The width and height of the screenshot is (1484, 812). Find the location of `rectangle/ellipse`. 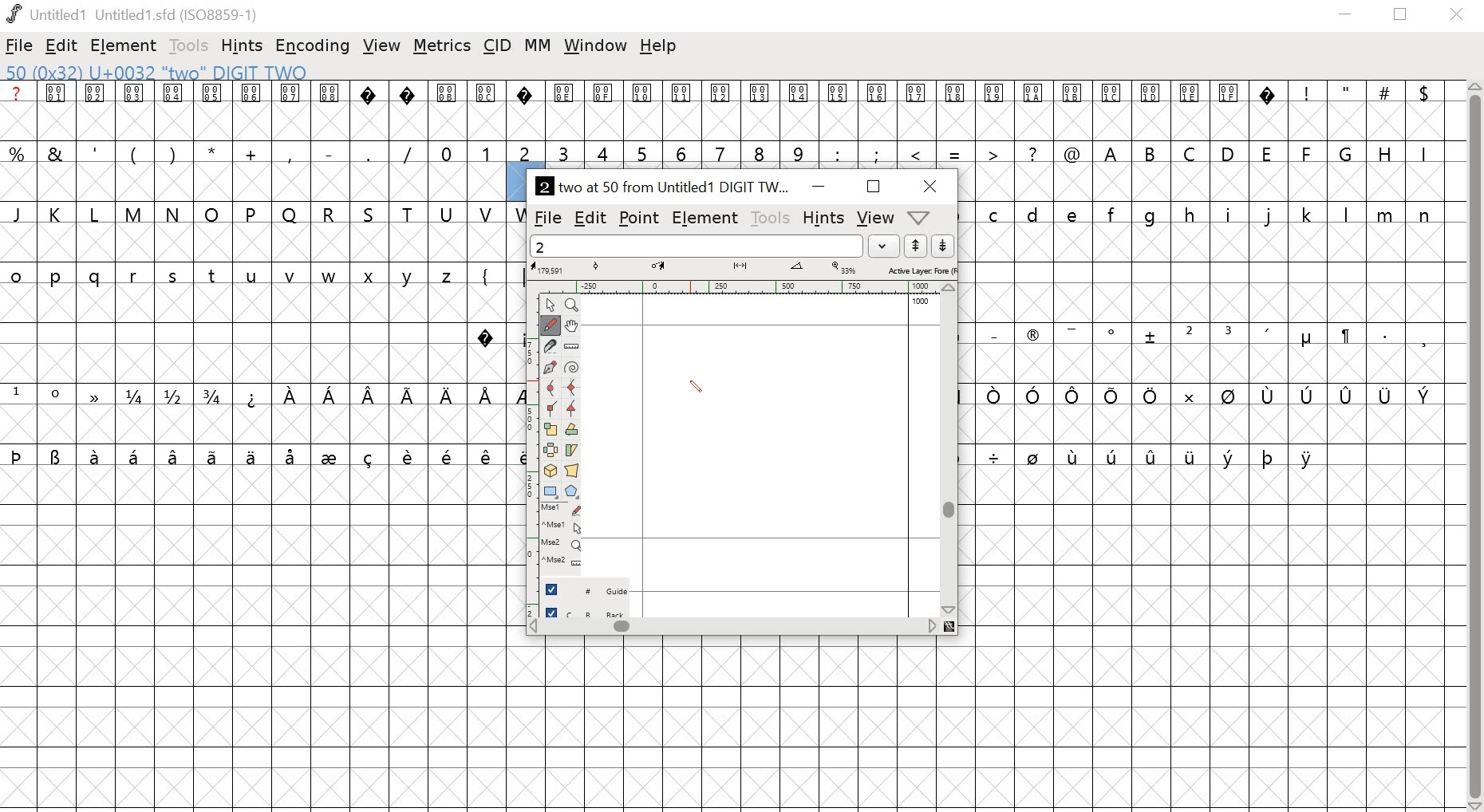

rectangle/ellipse is located at coordinates (552, 491).